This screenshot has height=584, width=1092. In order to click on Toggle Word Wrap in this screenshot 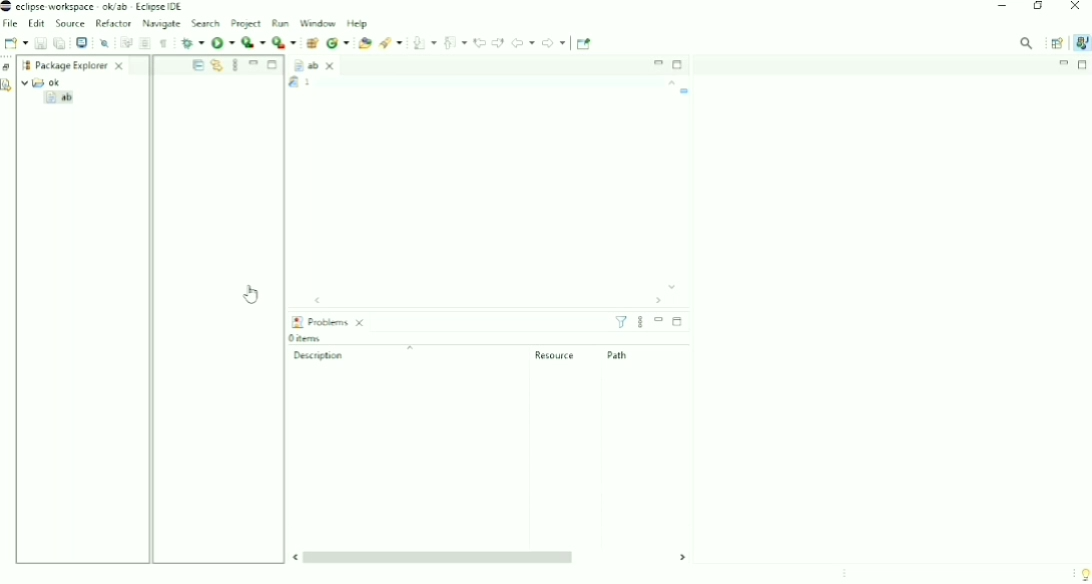, I will do `click(125, 42)`.